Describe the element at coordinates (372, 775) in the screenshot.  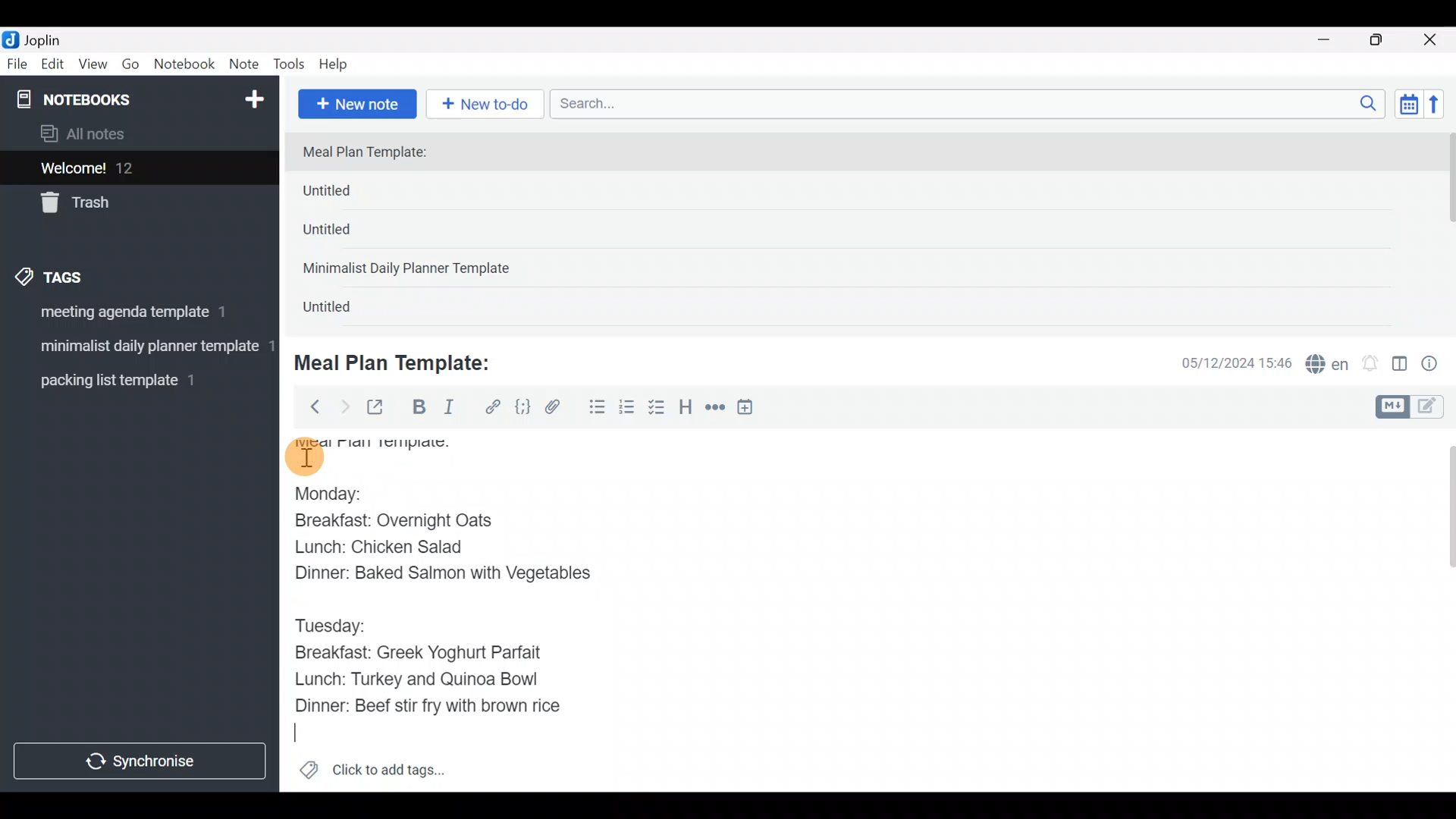
I see `Click to add tags` at that location.